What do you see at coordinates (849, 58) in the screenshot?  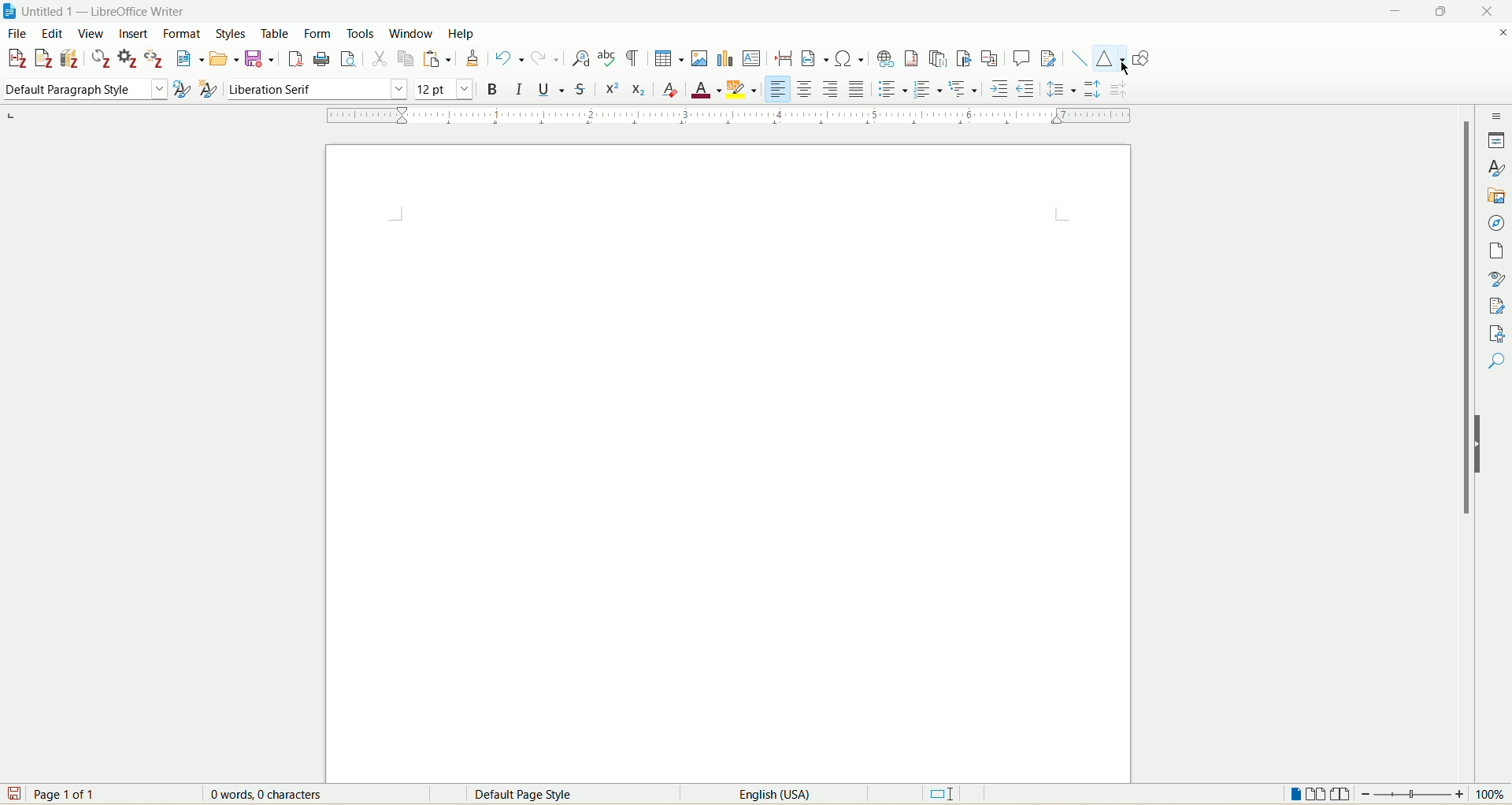 I see `insert symbol` at bounding box center [849, 58].